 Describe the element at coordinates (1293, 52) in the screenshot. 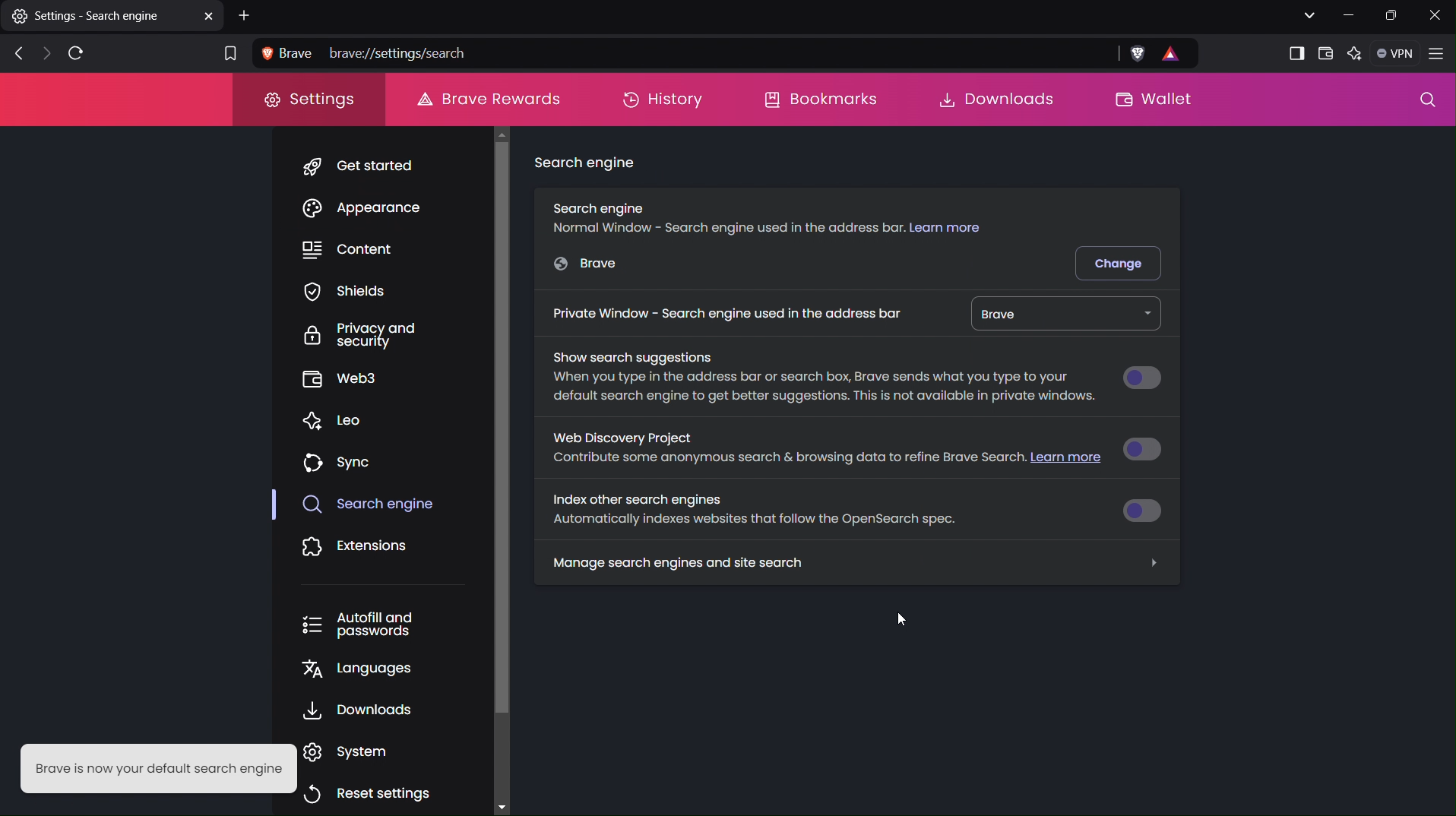

I see `Show sidebar` at that location.